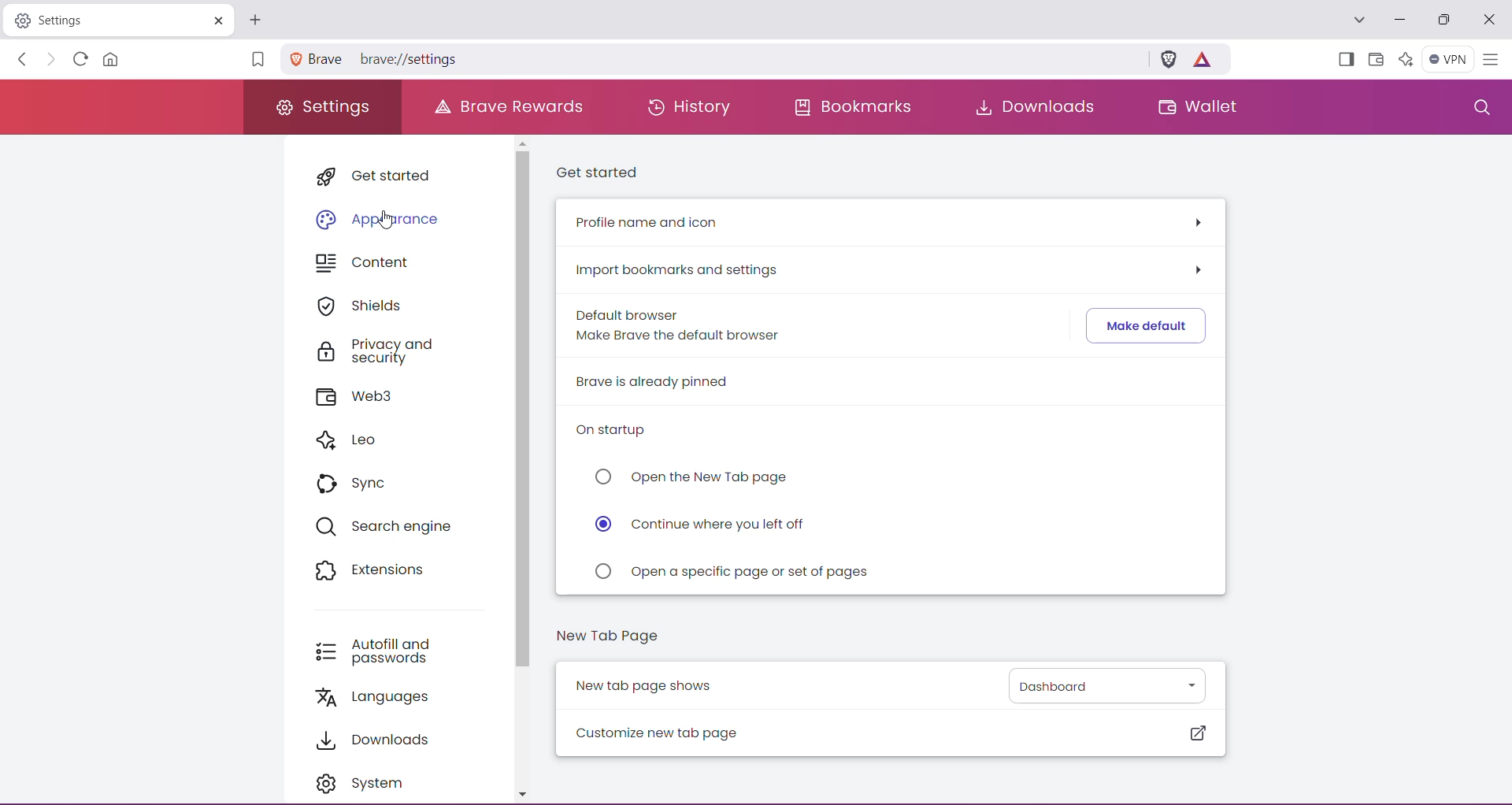  What do you see at coordinates (1107, 687) in the screenshot?
I see `Set the New Tab page from the list` at bounding box center [1107, 687].